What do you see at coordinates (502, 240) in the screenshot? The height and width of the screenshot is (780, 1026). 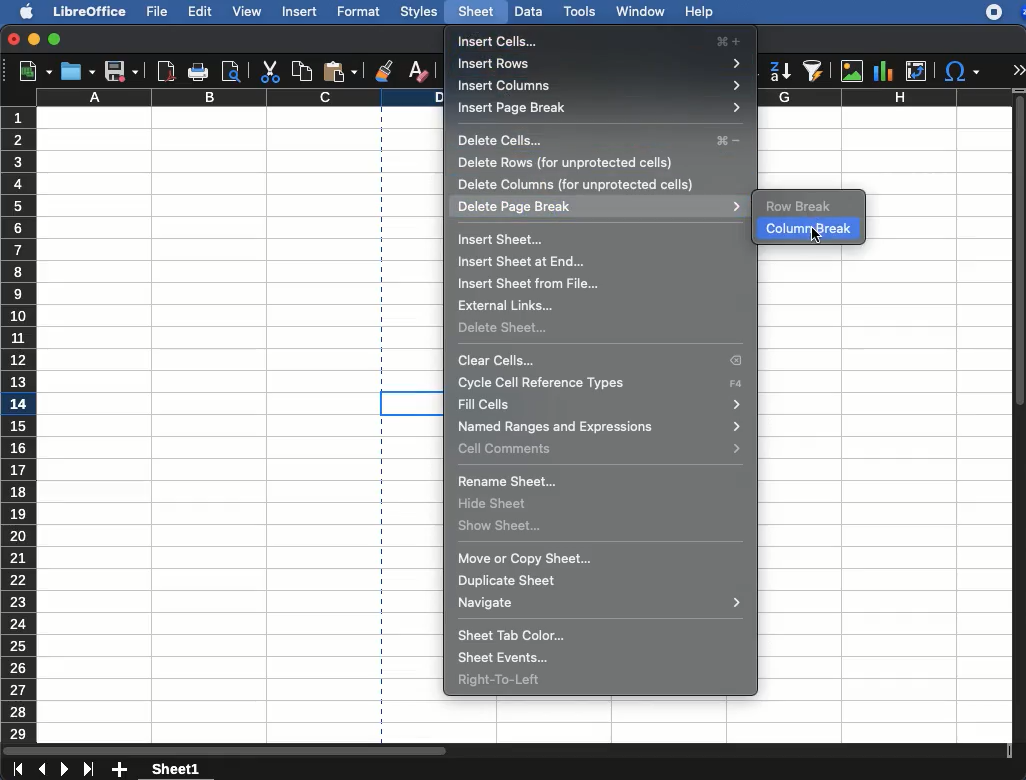 I see `insert sheet` at bounding box center [502, 240].